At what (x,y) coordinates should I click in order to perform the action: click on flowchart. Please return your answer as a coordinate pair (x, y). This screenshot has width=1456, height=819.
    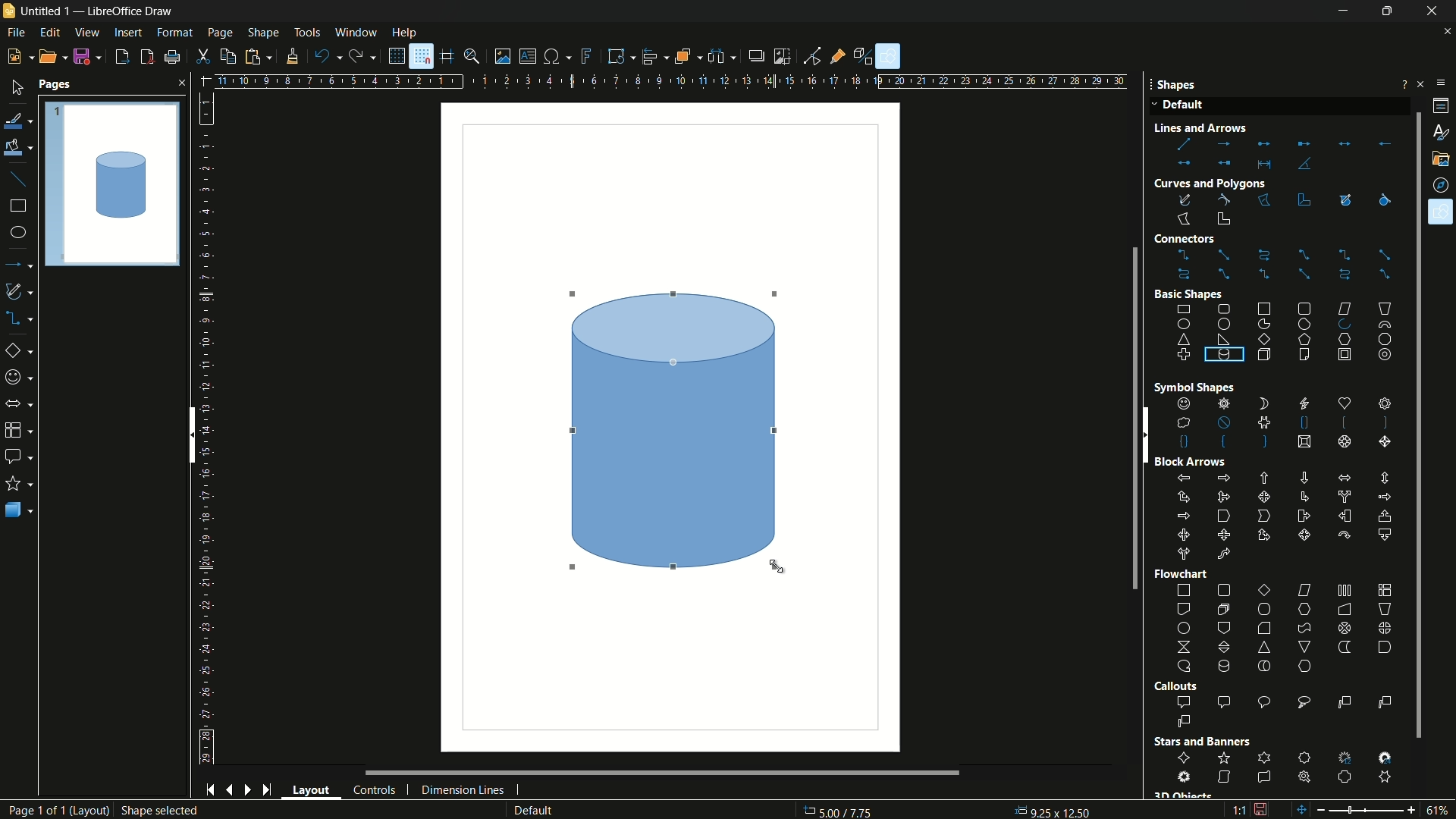
    Looking at the image, I should click on (1285, 629).